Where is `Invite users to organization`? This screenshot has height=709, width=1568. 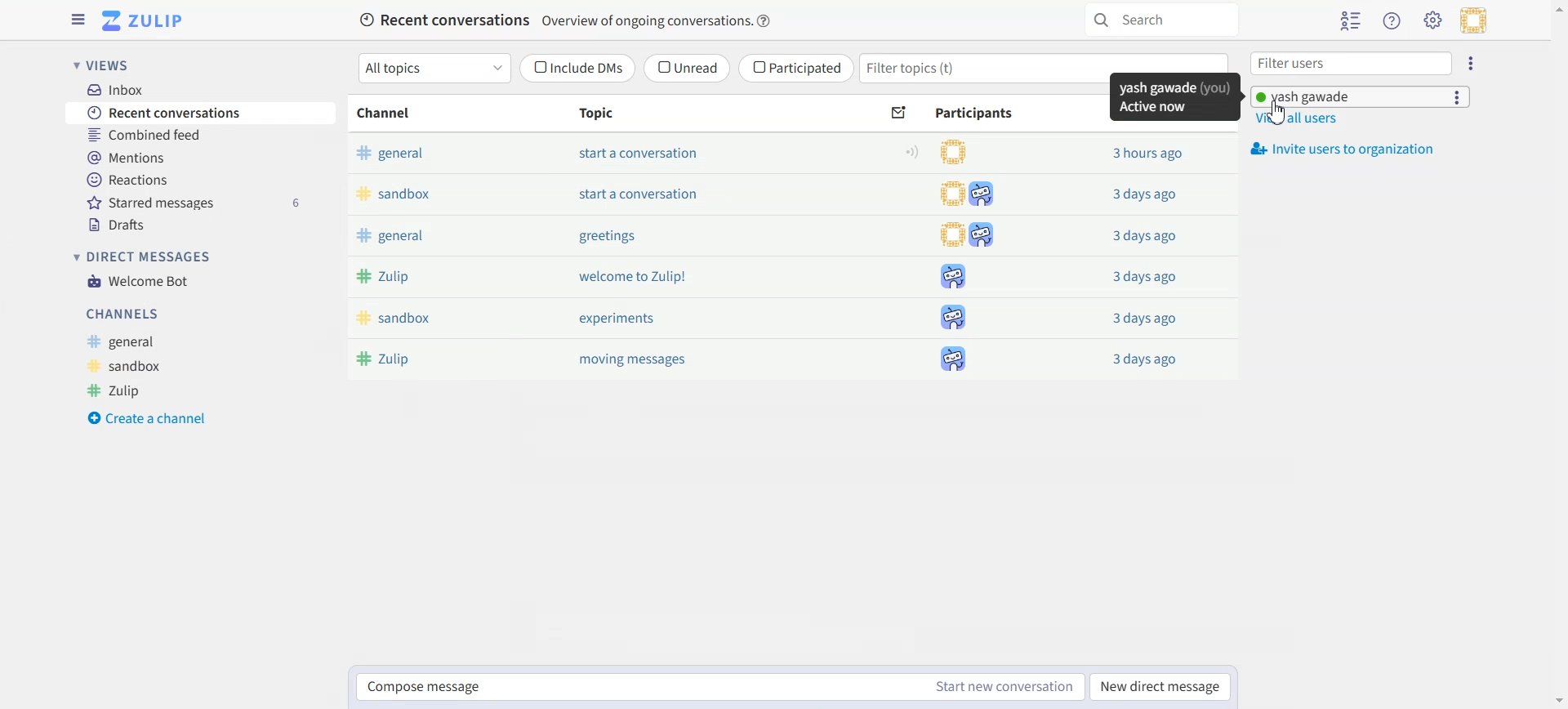 Invite users to organization is located at coordinates (1353, 149).